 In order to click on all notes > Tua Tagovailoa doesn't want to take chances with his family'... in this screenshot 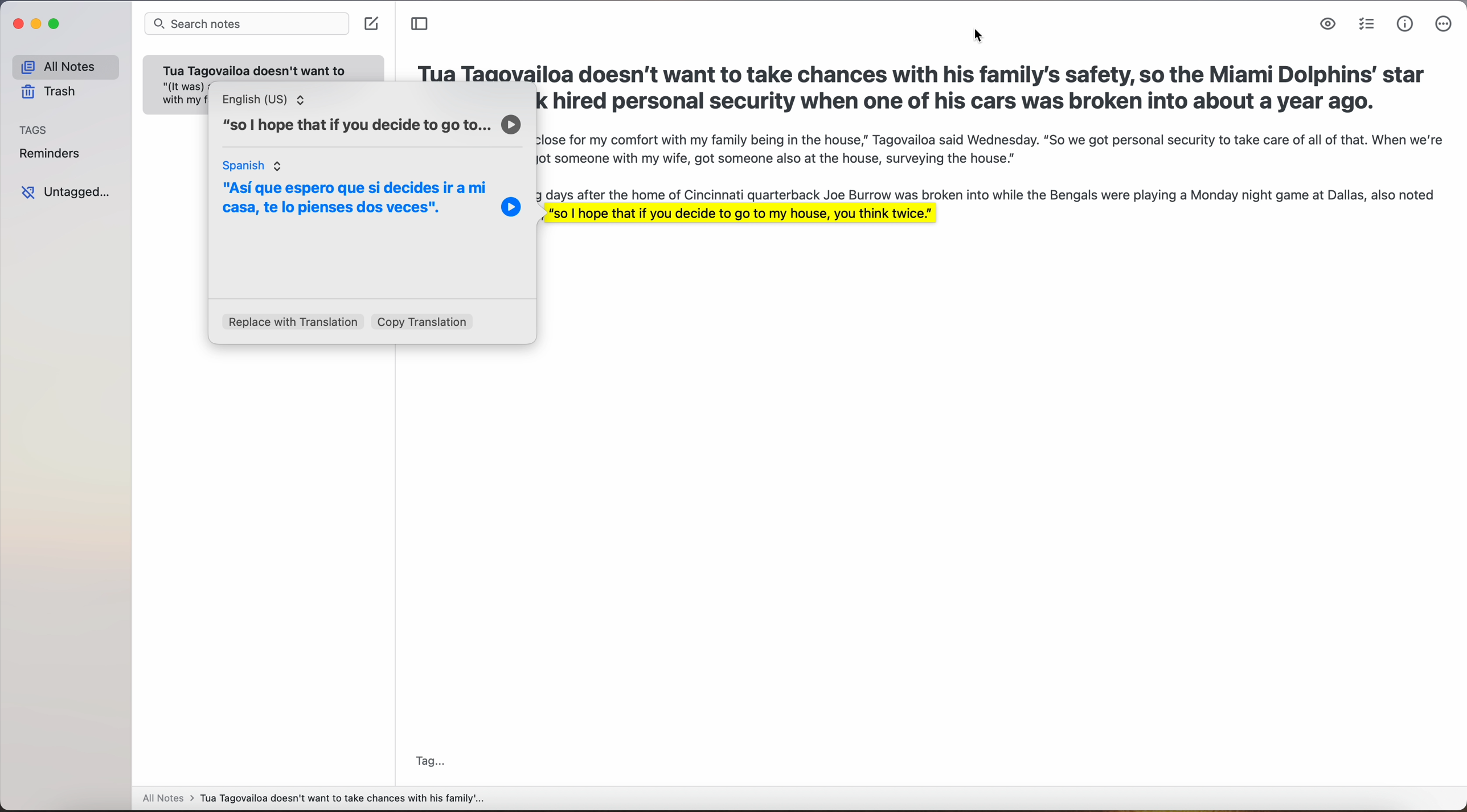, I will do `click(313, 799)`.